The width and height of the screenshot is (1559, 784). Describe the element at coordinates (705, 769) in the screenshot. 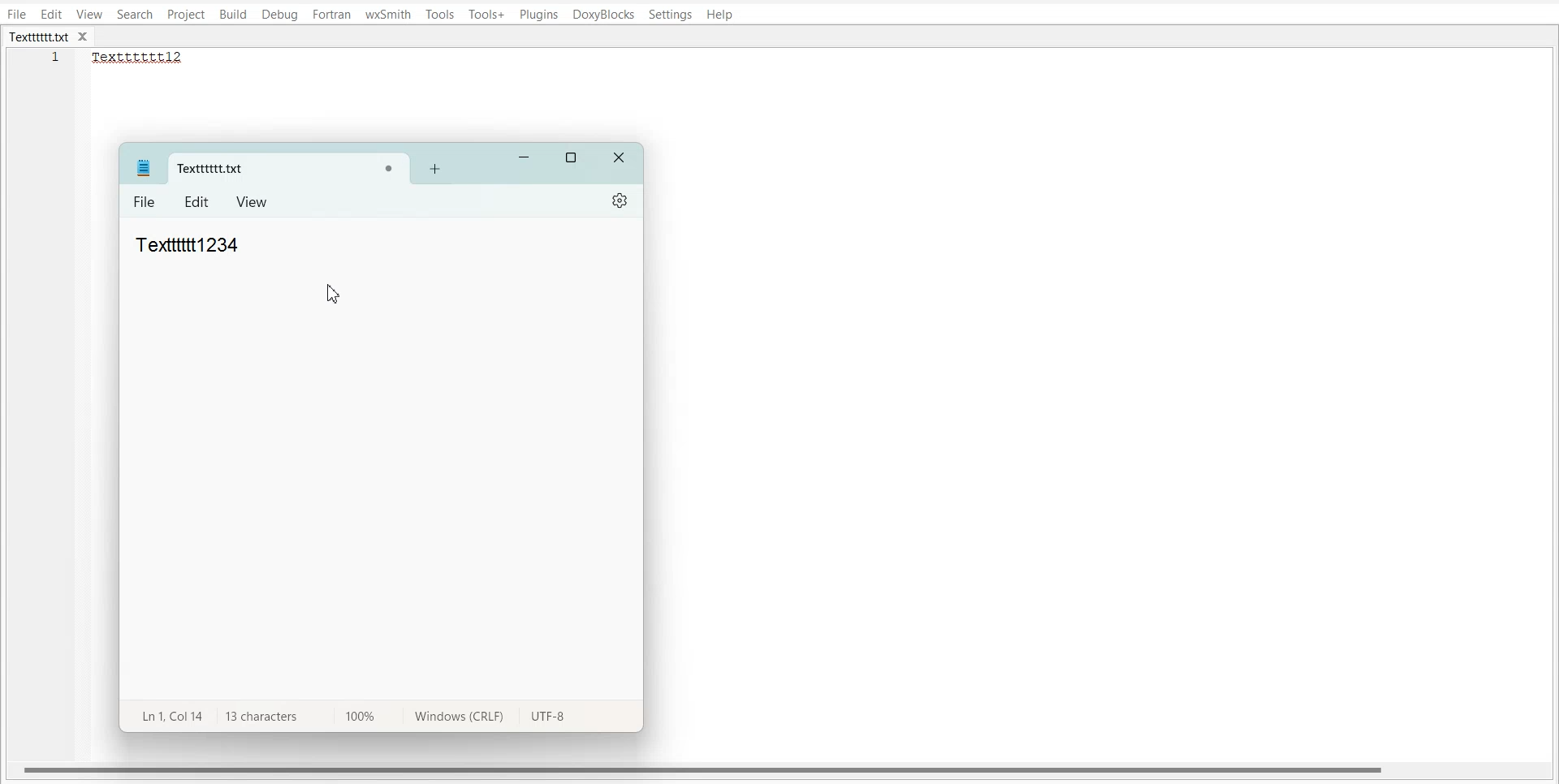

I see `Horizontal scroll bar` at that location.